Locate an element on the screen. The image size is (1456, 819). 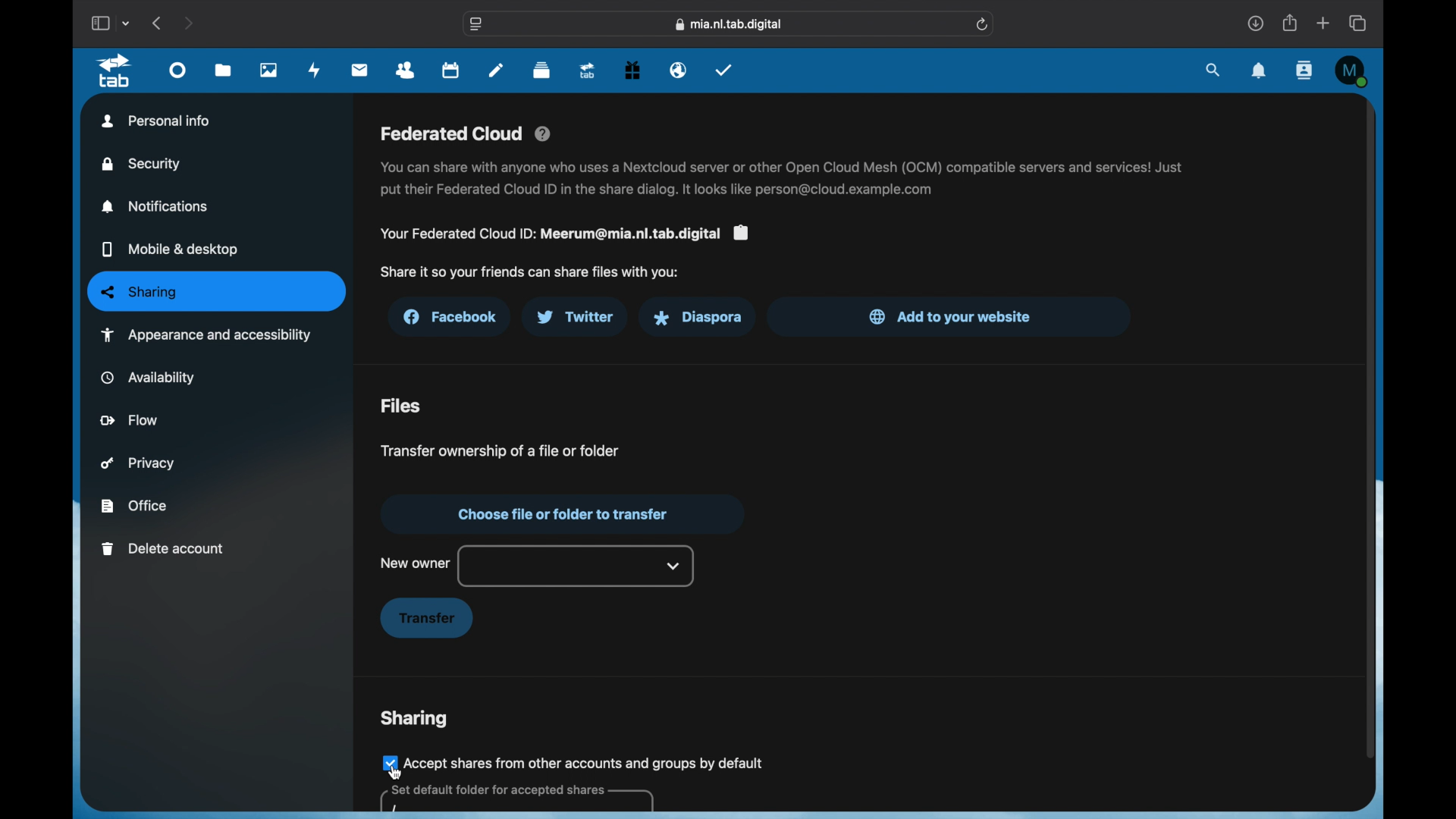
free trial is located at coordinates (632, 71).